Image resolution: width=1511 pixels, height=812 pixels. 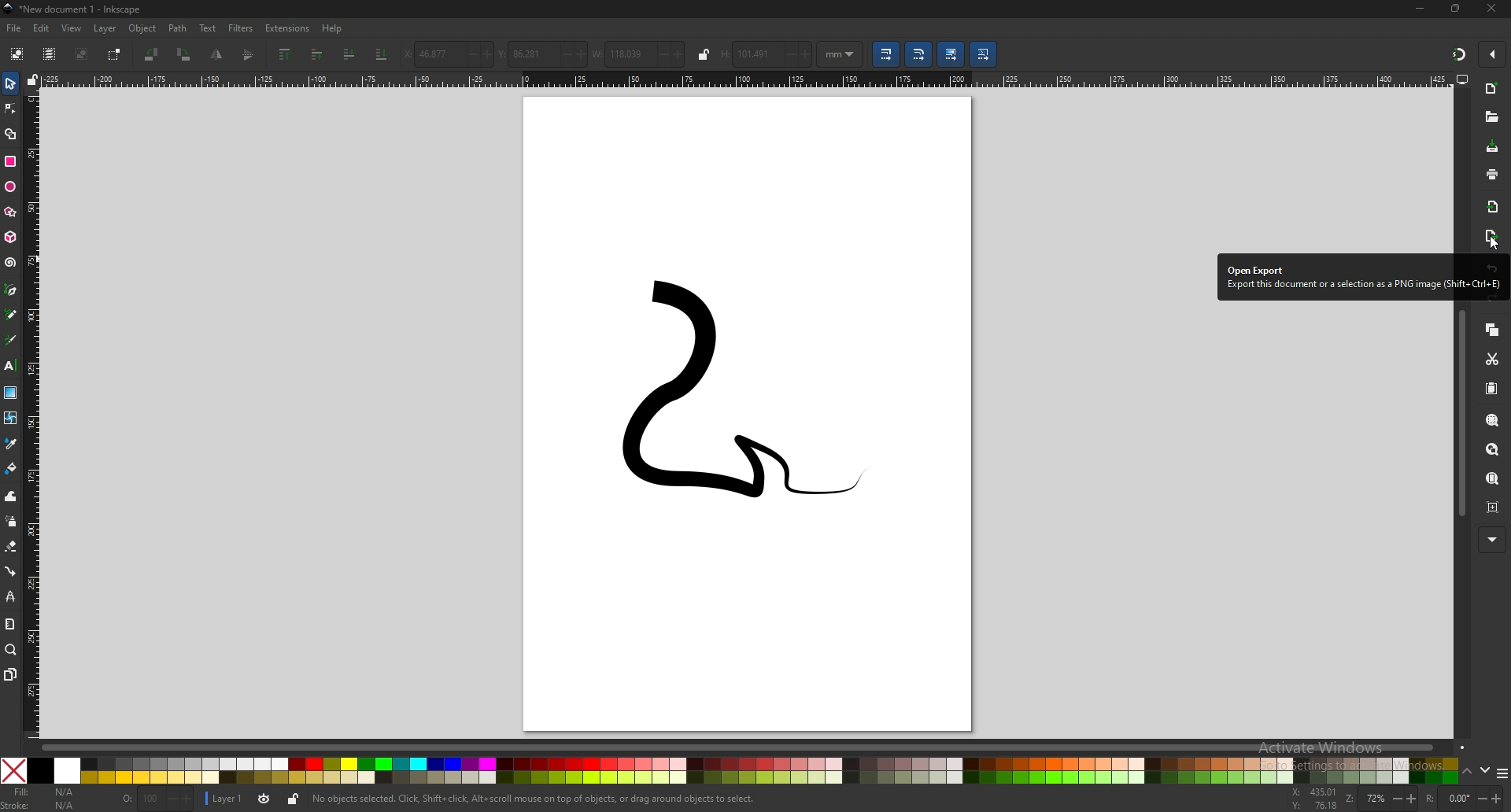 I want to click on layer, so click(x=107, y=28).